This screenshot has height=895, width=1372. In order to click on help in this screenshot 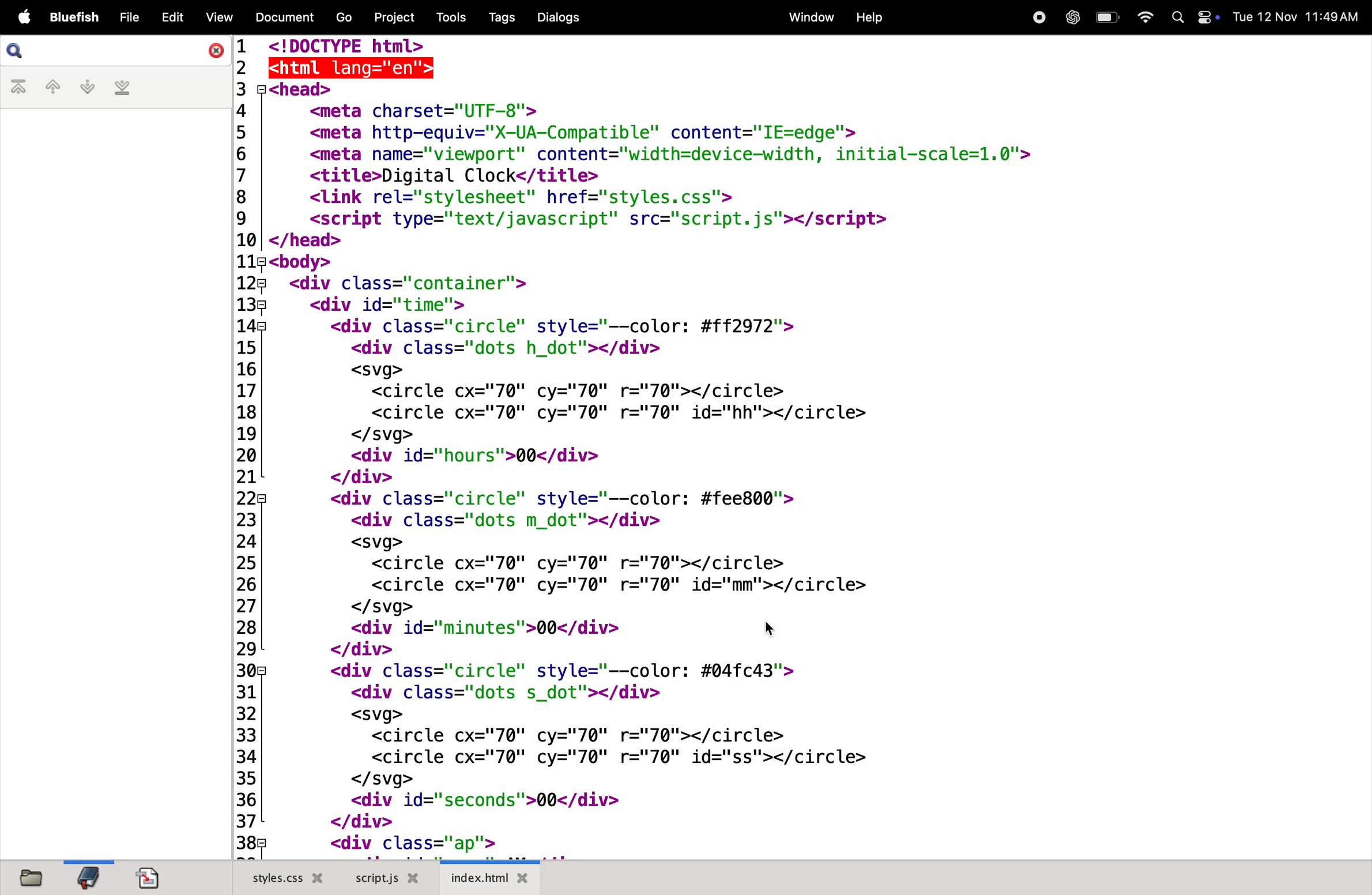, I will do `click(869, 19)`.